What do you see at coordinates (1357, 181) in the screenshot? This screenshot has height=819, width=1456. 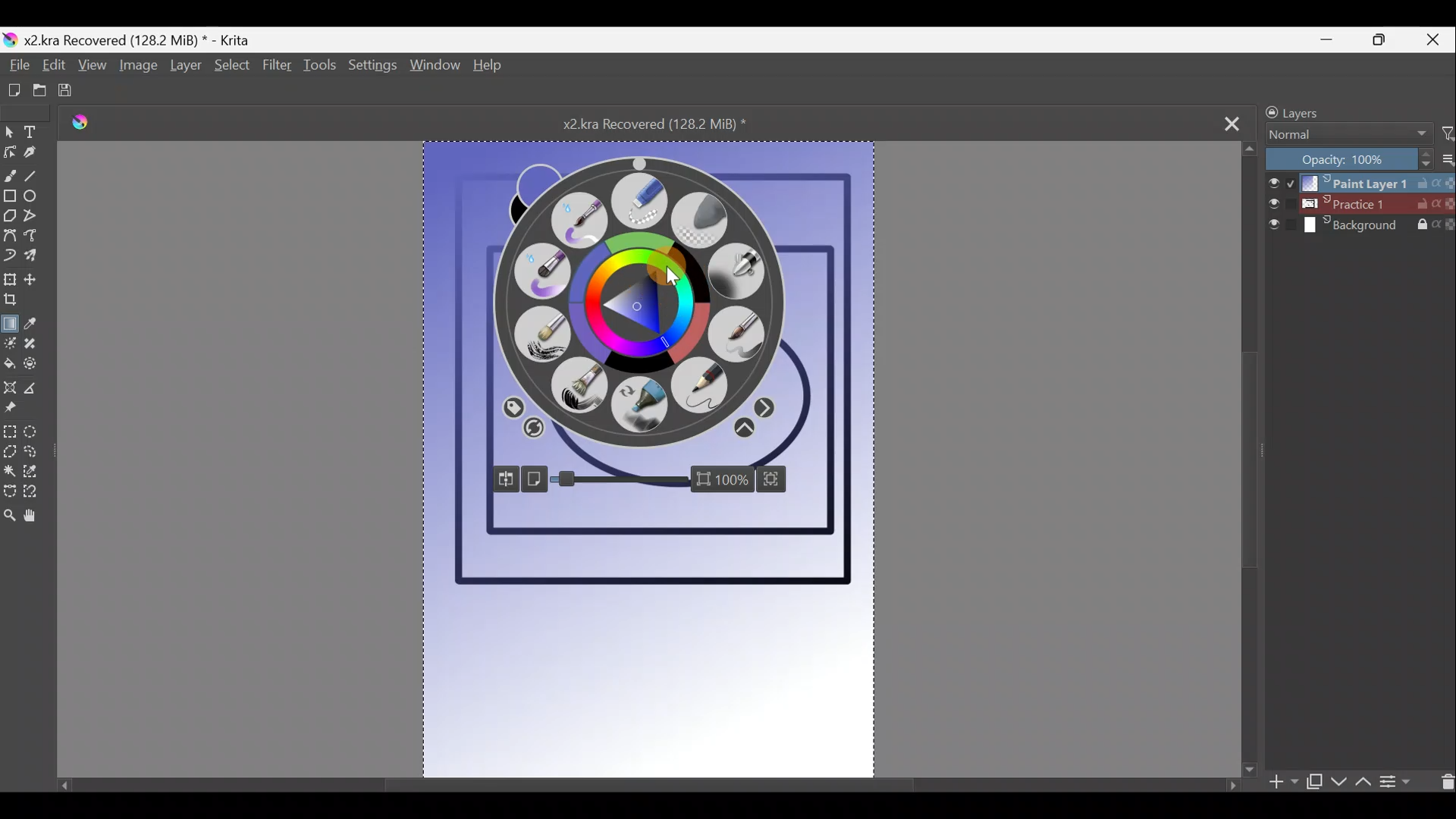 I see `Layer 1` at bounding box center [1357, 181].